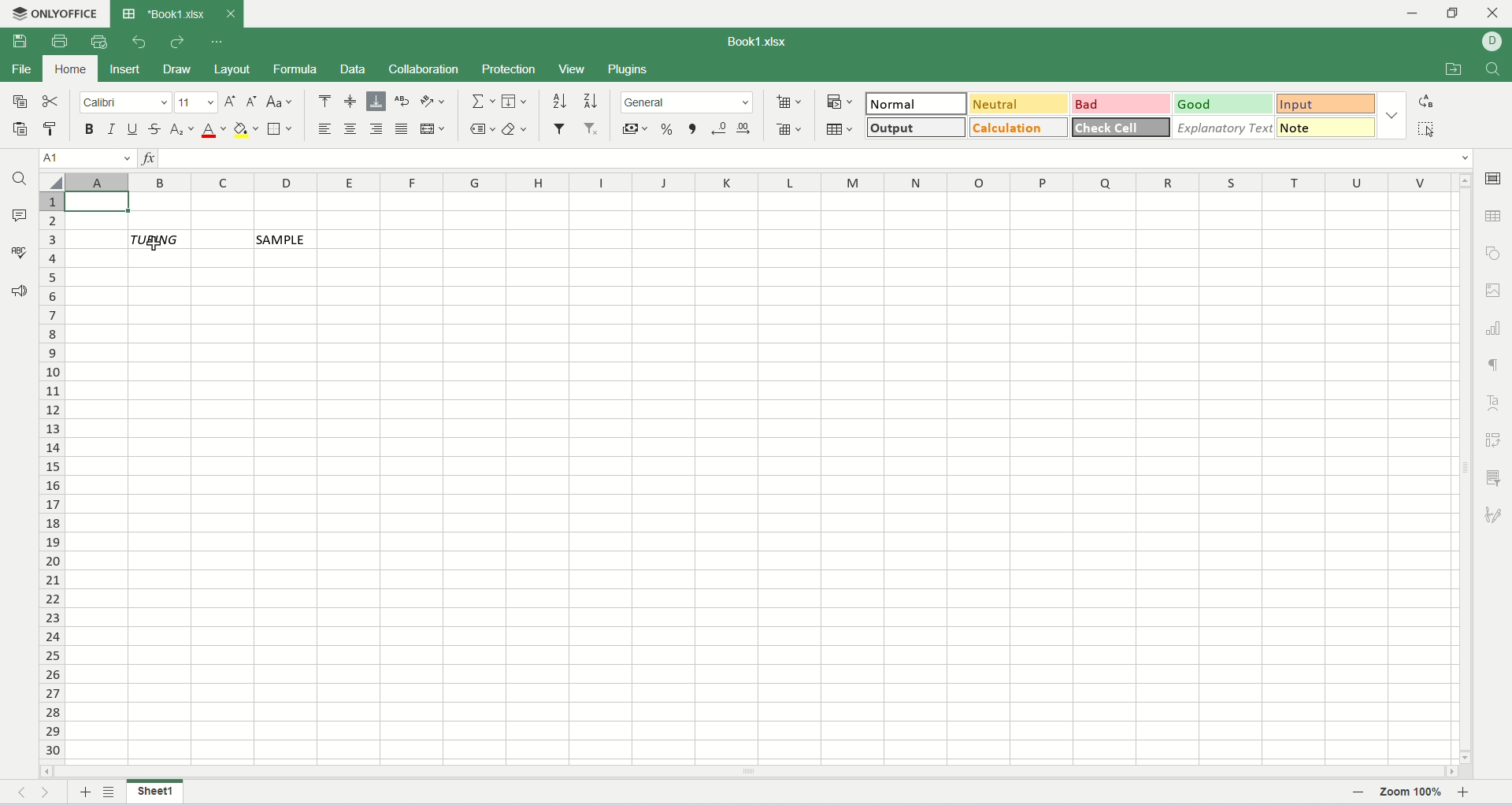 The height and width of the screenshot is (805, 1512). I want to click on good, so click(1224, 104).